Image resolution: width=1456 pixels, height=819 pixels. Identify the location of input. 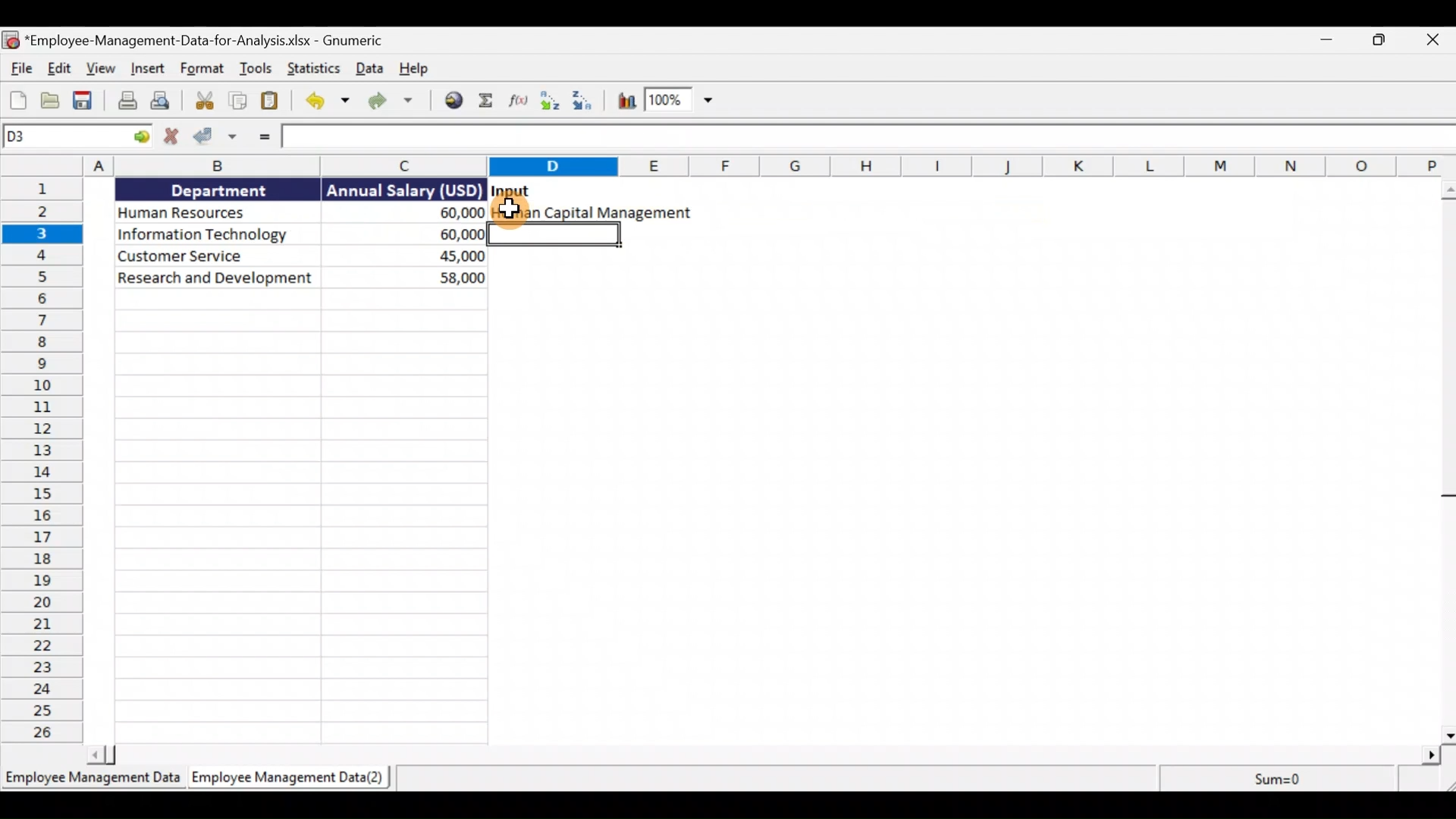
(513, 190).